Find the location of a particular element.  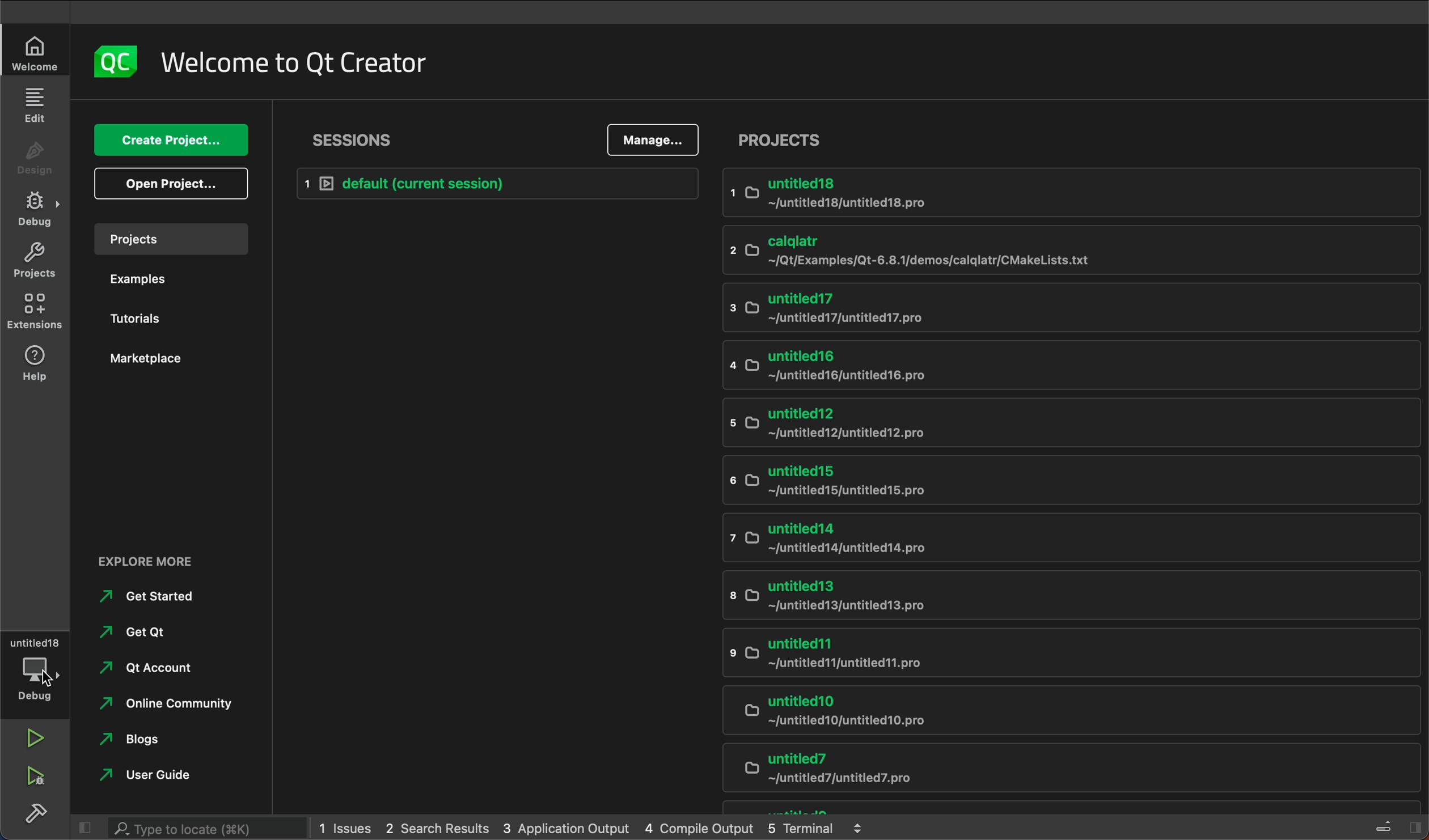

run and debug is located at coordinates (40, 777).